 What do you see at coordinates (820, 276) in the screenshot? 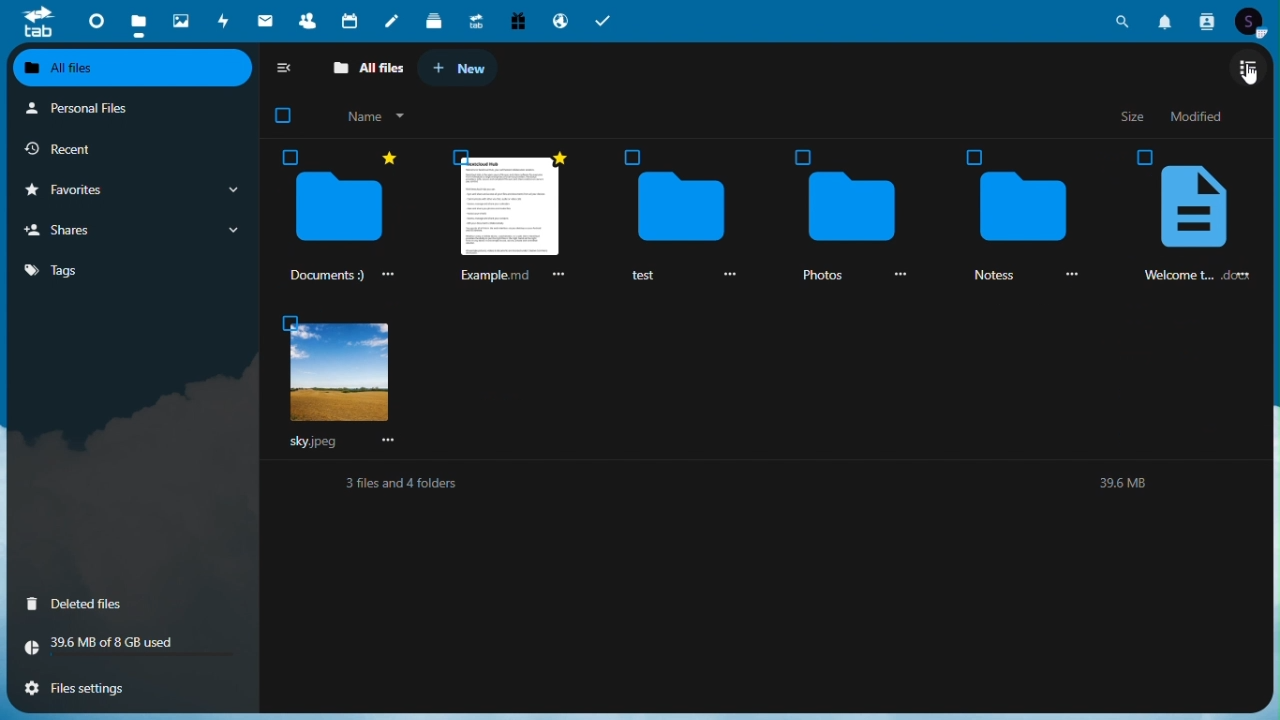
I see `photos` at bounding box center [820, 276].